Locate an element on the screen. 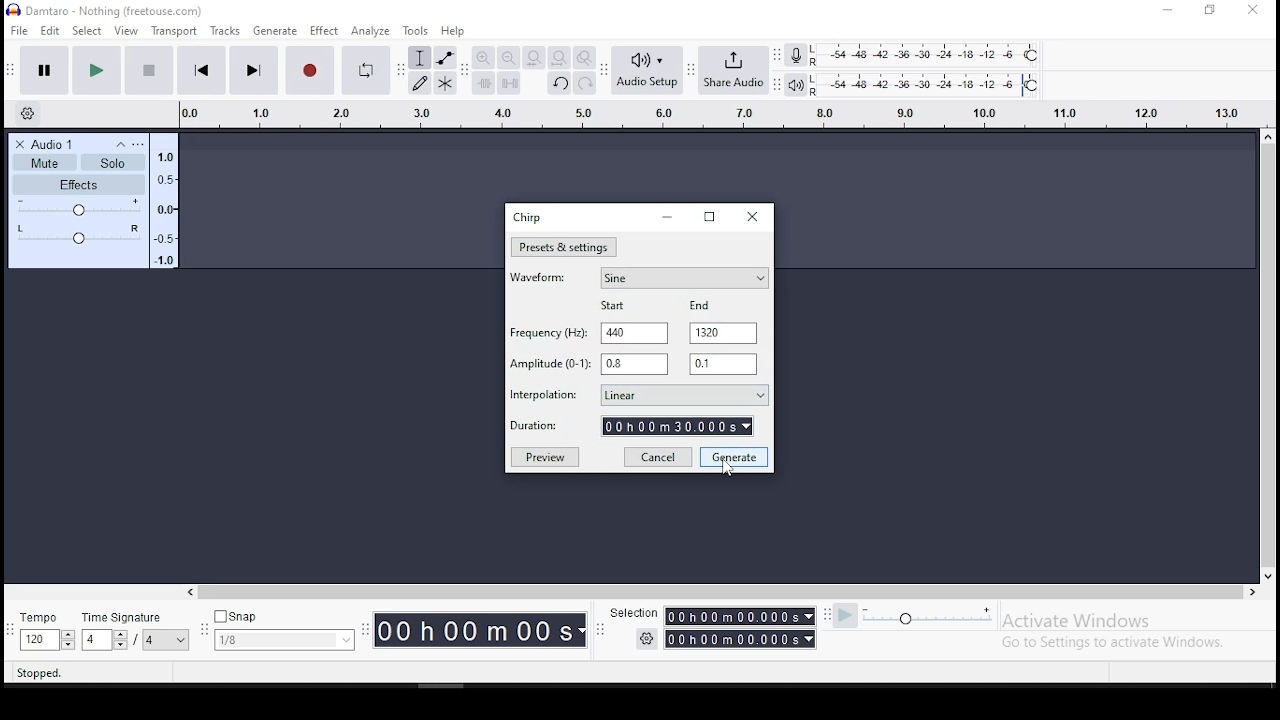 Image resolution: width=1280 pixels, height=720 pixels. enable looping is located at coordinates (365, 70).